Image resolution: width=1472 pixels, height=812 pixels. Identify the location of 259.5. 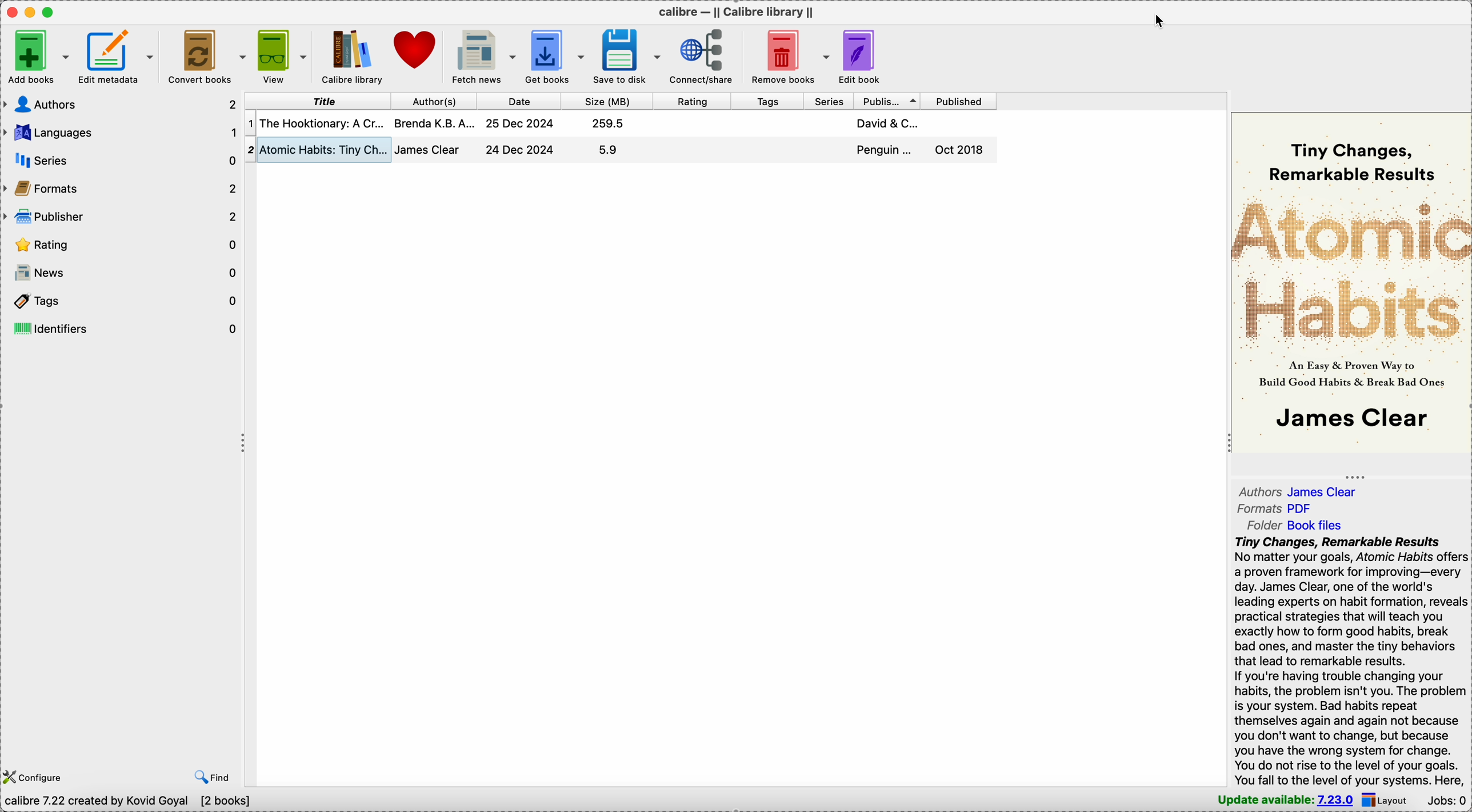
(609, 125).